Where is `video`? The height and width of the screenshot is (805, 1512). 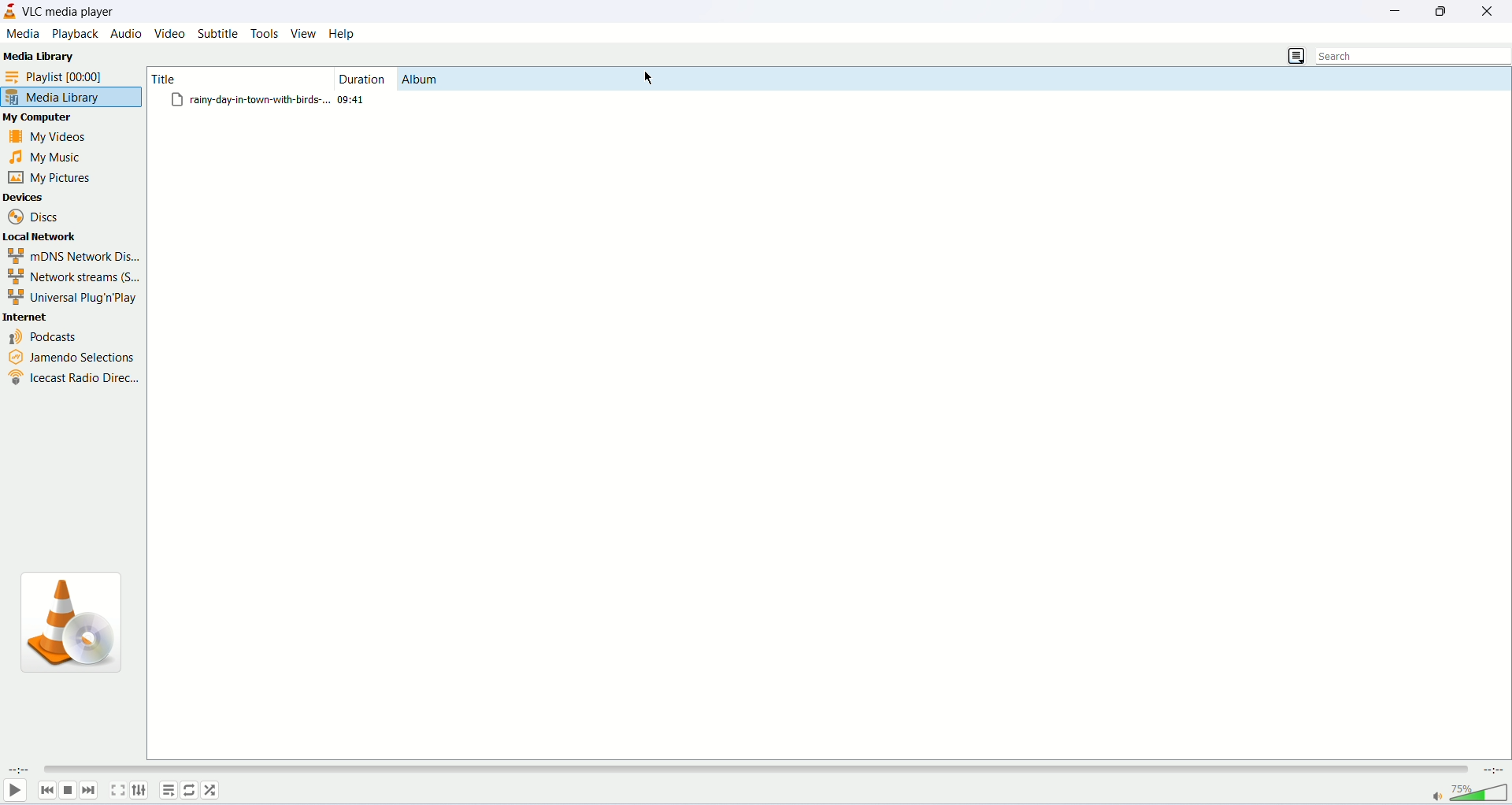 video is located at coordinates (168, 33).